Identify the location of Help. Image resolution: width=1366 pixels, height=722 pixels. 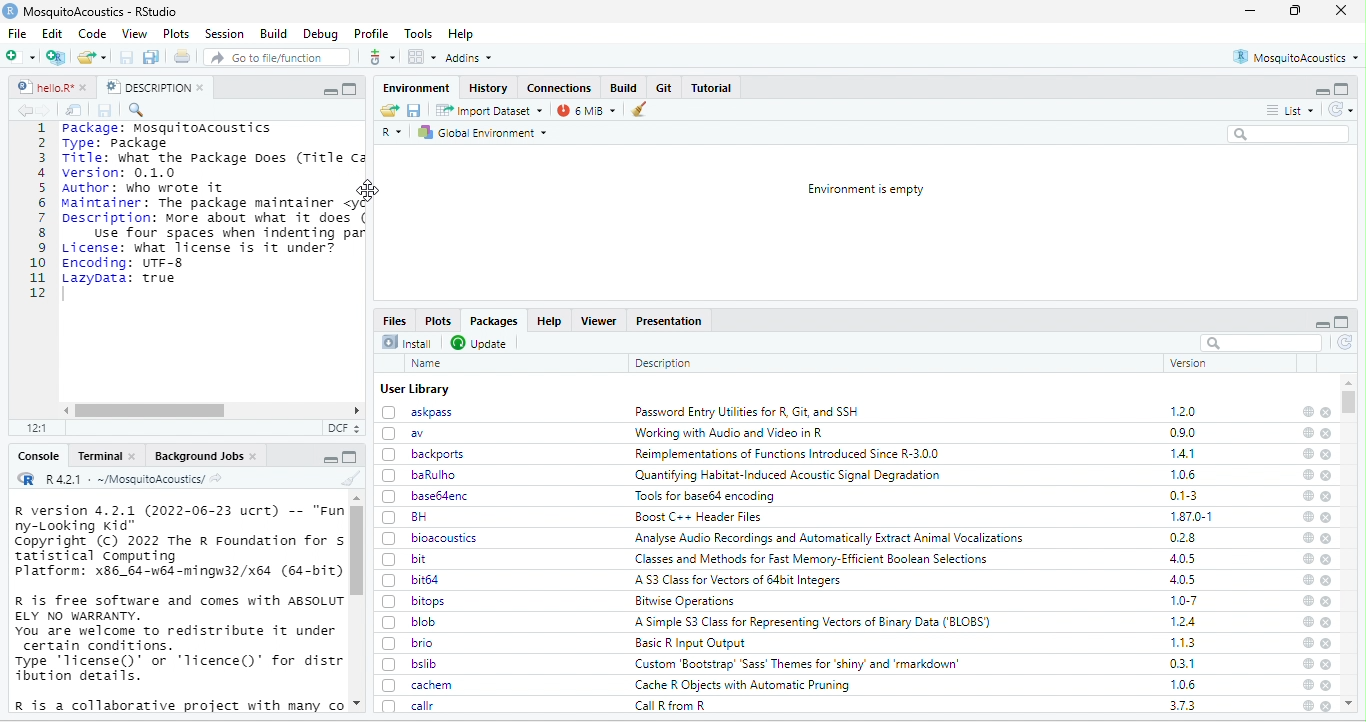
(549, 321).